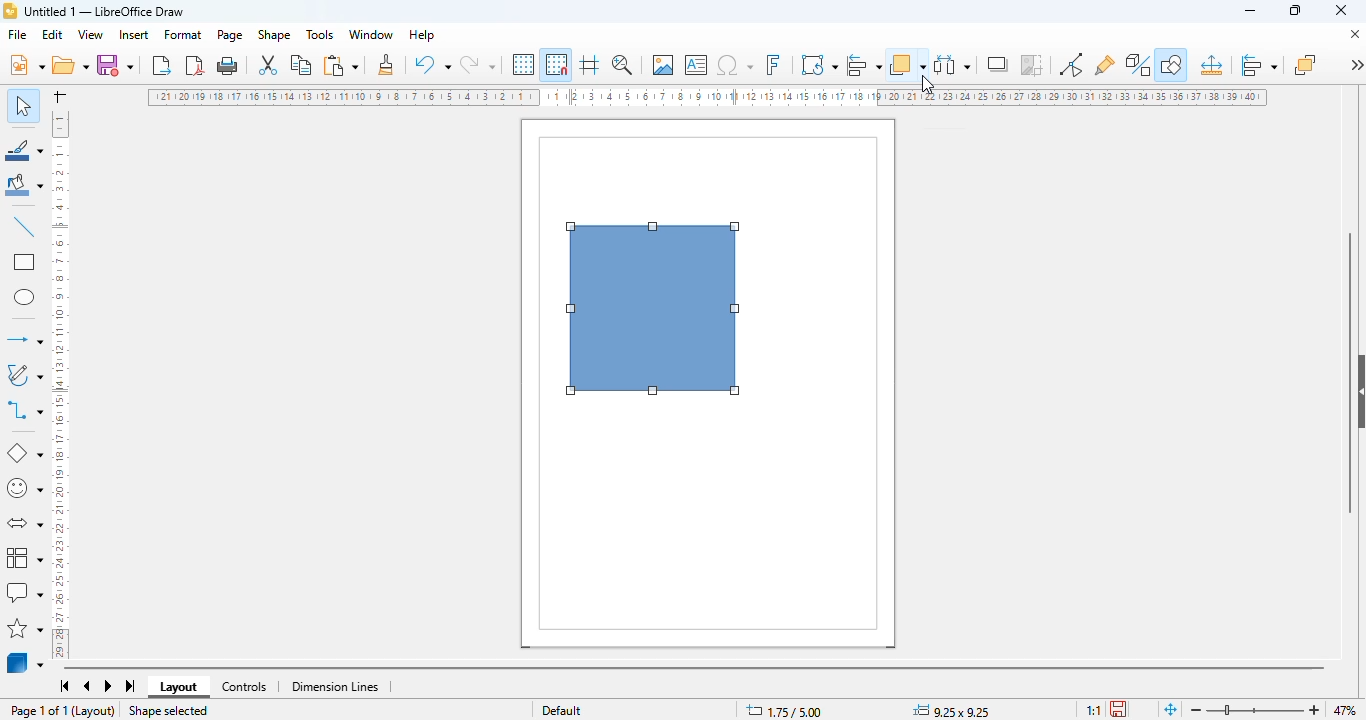 This screenshot has width=1366, height=720. What do you see at coordinates (735, 65) in the screenshot?
I see `insert special characters` at bounding box center [735, 65].